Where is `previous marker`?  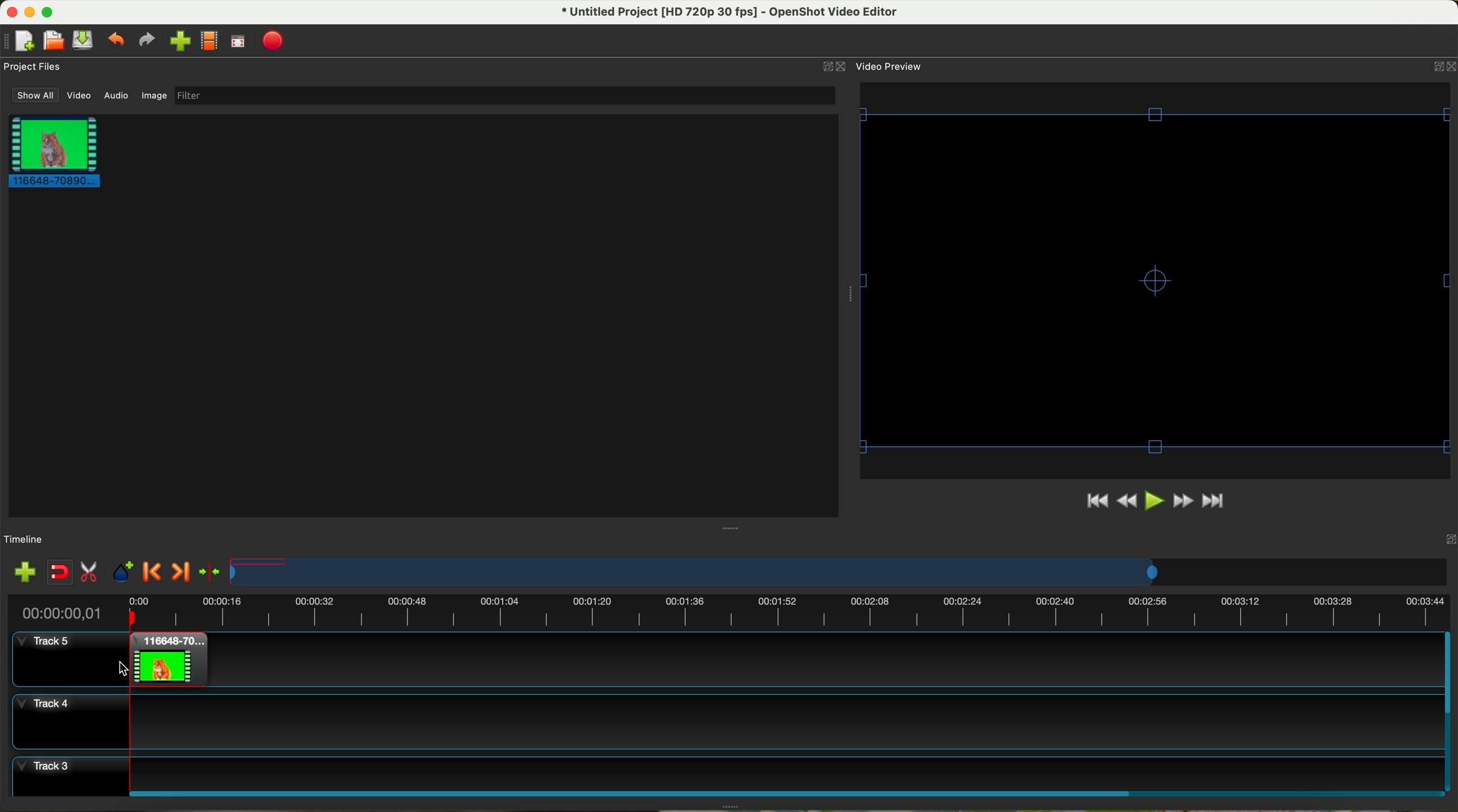 previous marker is located at coordinates (153, 572).